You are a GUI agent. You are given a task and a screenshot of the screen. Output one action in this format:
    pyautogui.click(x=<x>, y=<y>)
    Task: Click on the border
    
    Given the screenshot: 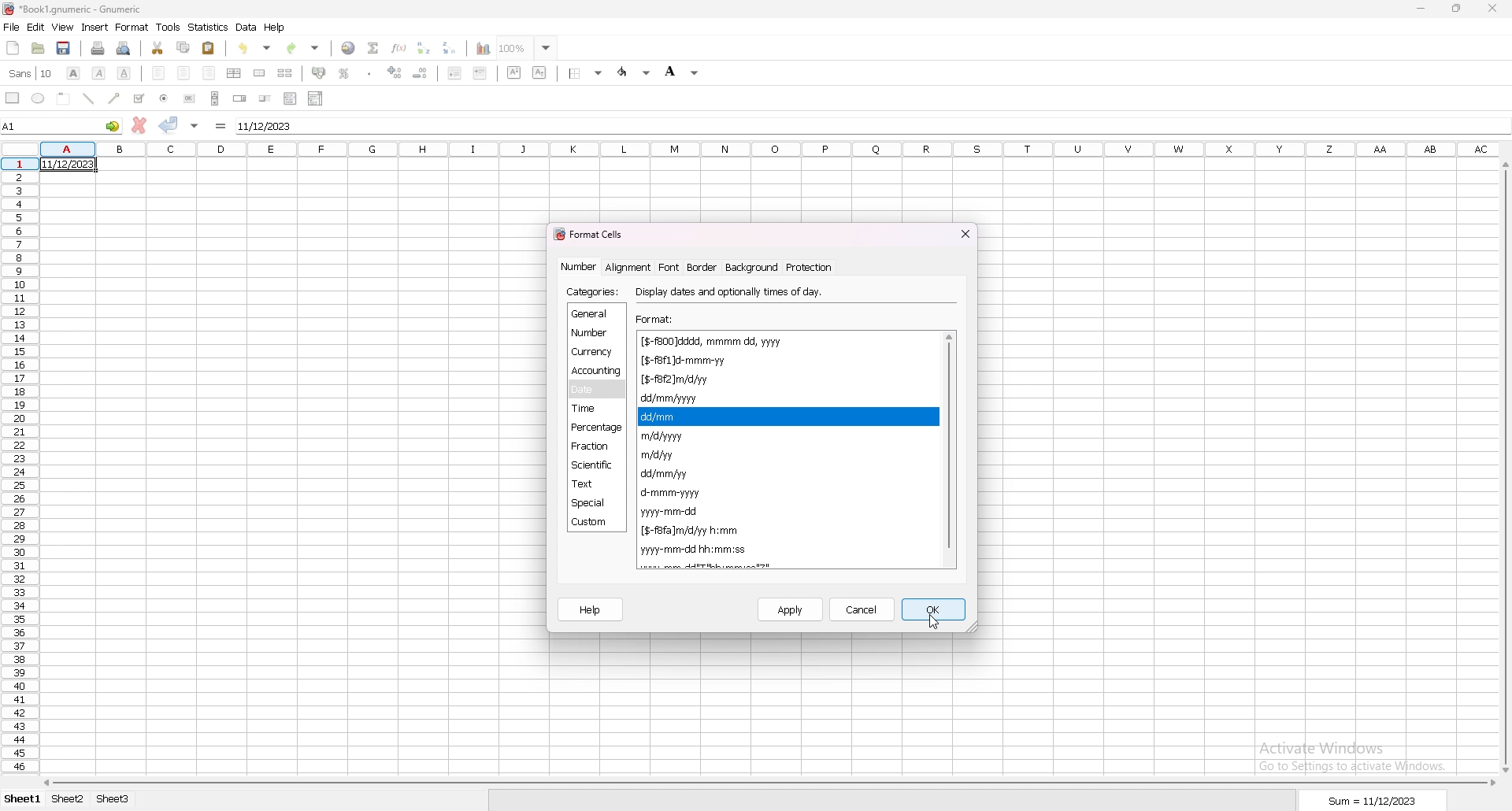 What is the action you would take?
    pyautogui.click(x=702, y=267)
    